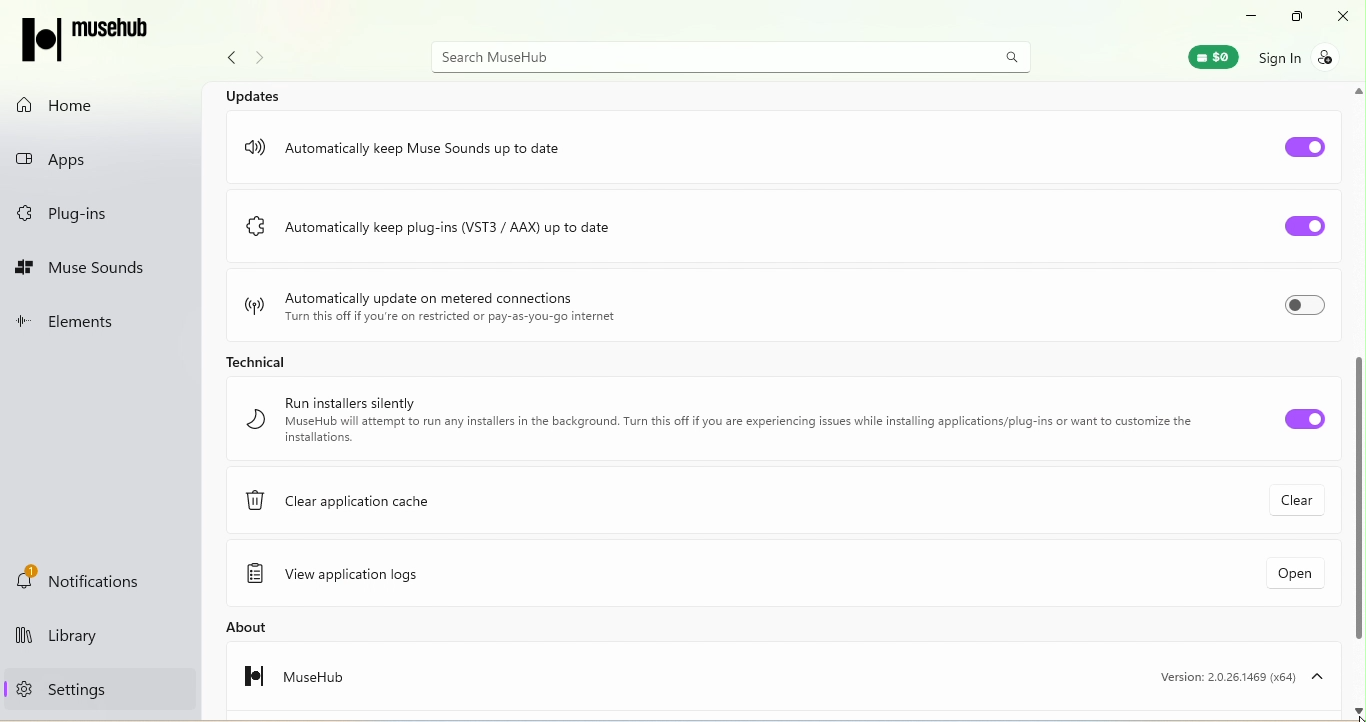 Image resolution: width=1366 pixels, height=722 pixels. I want to click on Sign In, so click(1308, 56).